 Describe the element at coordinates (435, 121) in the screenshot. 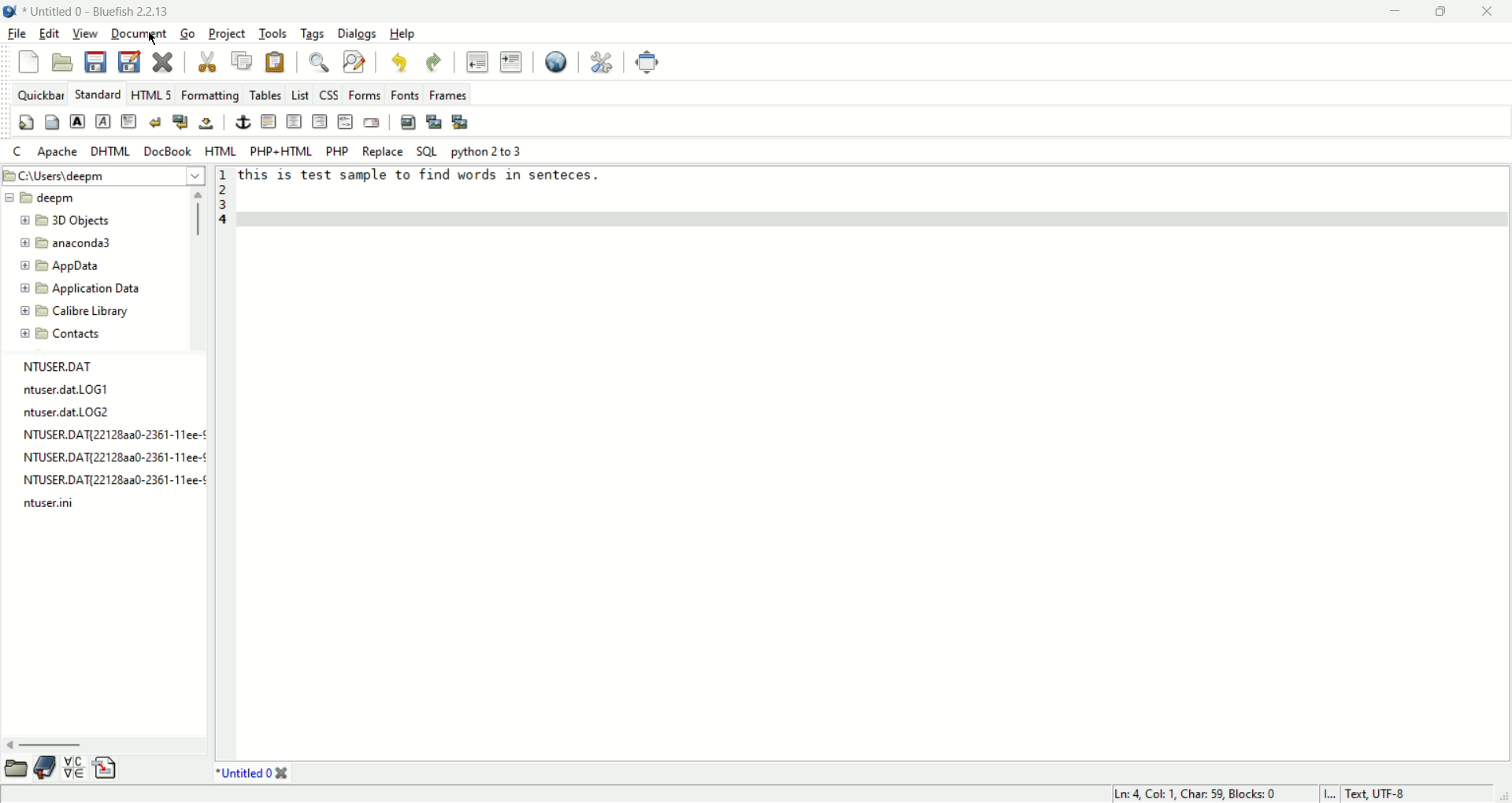

I see `insert thumbnail` at that location.